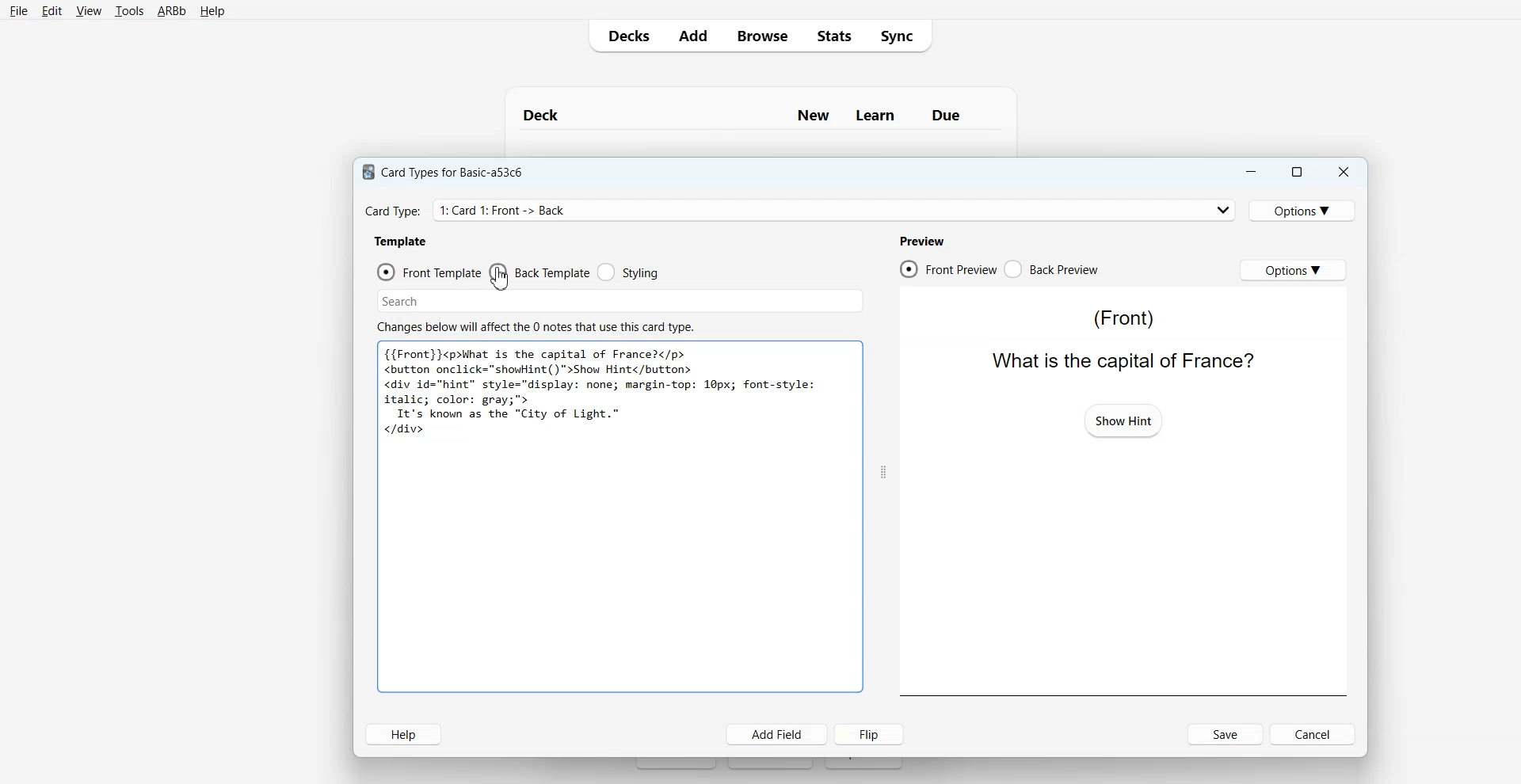 Image resolution: width=1521 pixels, height=784 pixels. What do you see at coordinates (777, 734) in the screenshot?
I see `Add Field` at bounding box center [777, 734].